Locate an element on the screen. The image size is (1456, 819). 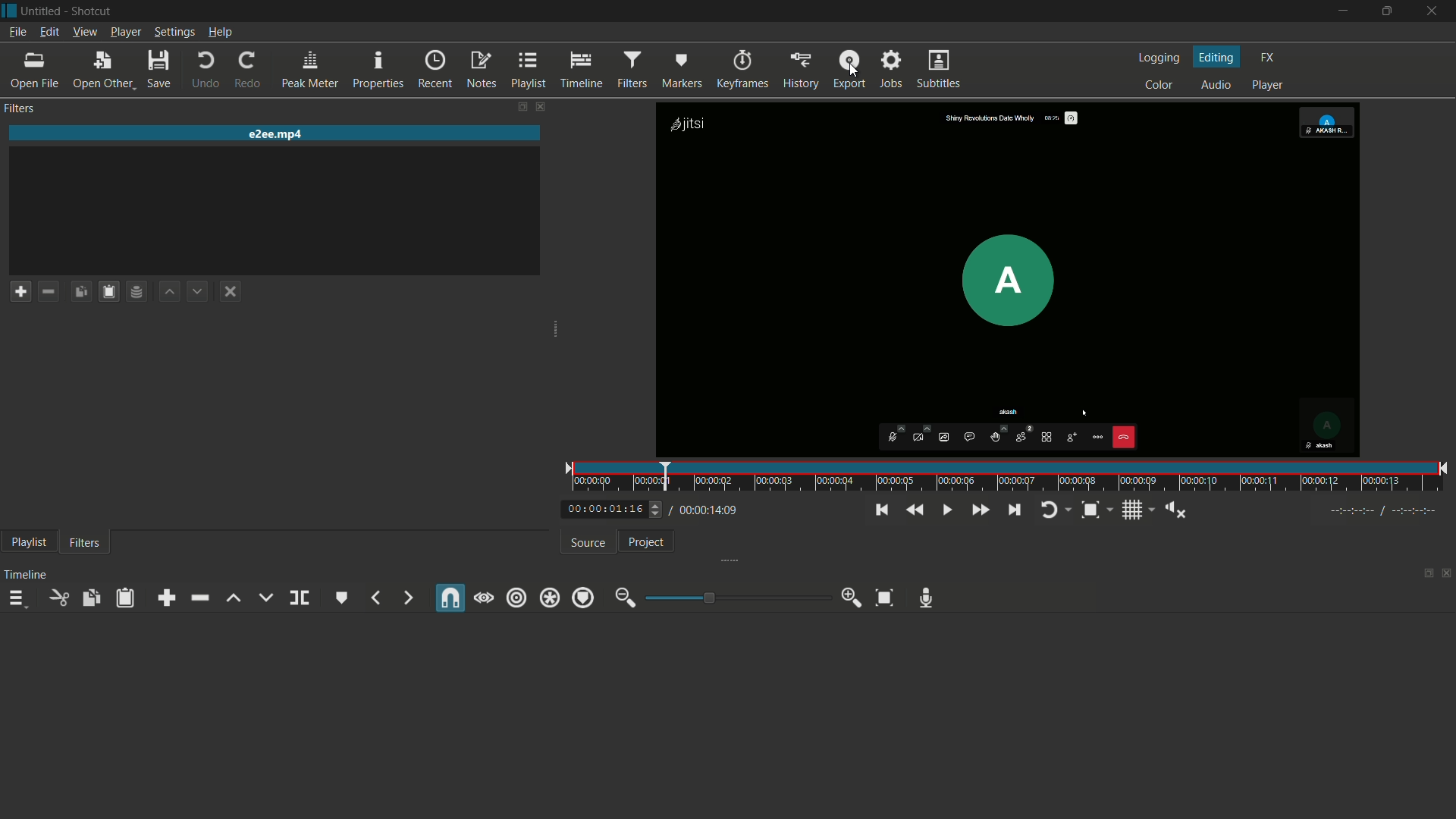
close filter is located at coordinates (539, 107).